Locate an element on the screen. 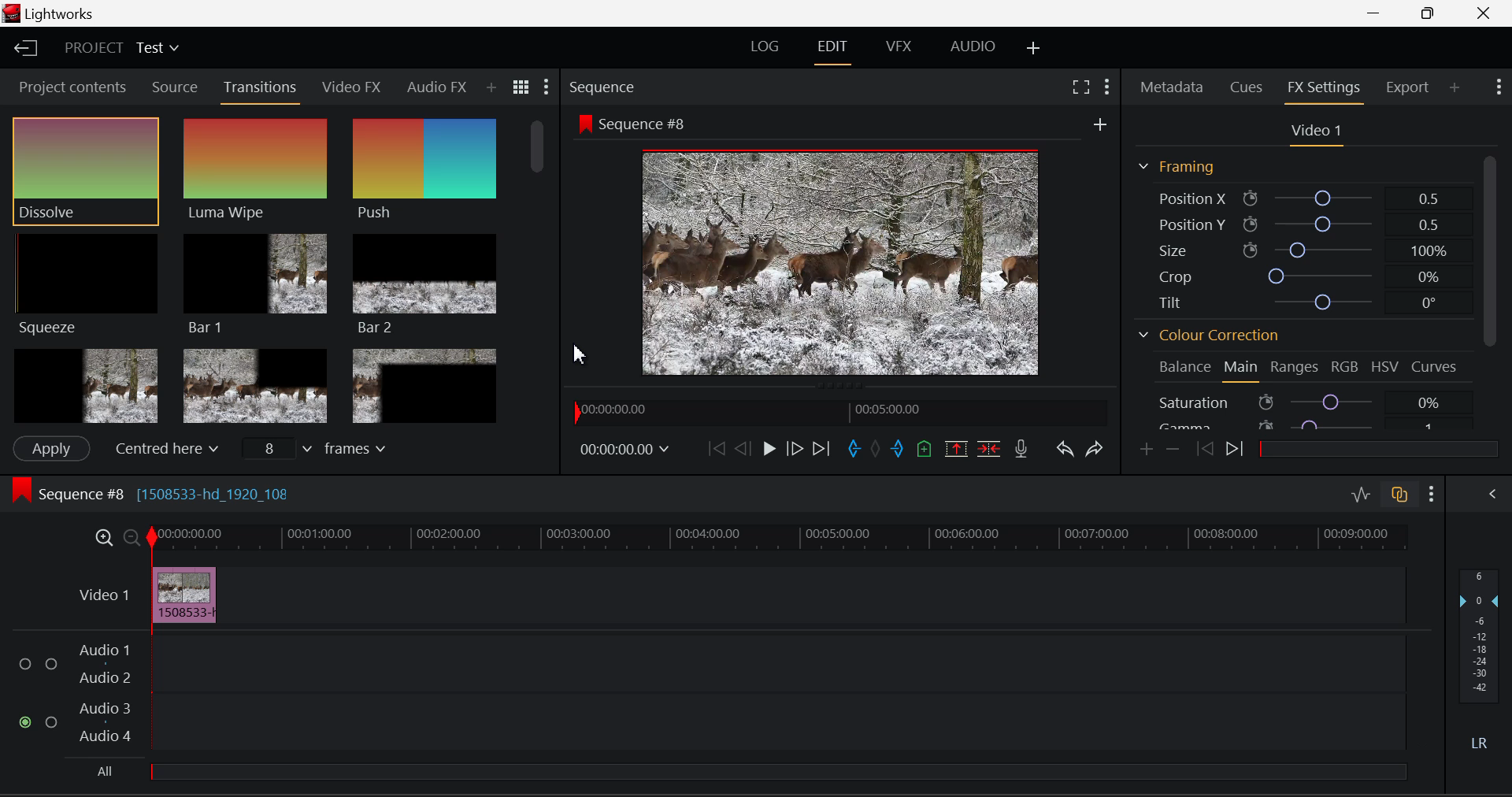  Mark Cue is located at coordinates (922, 450).